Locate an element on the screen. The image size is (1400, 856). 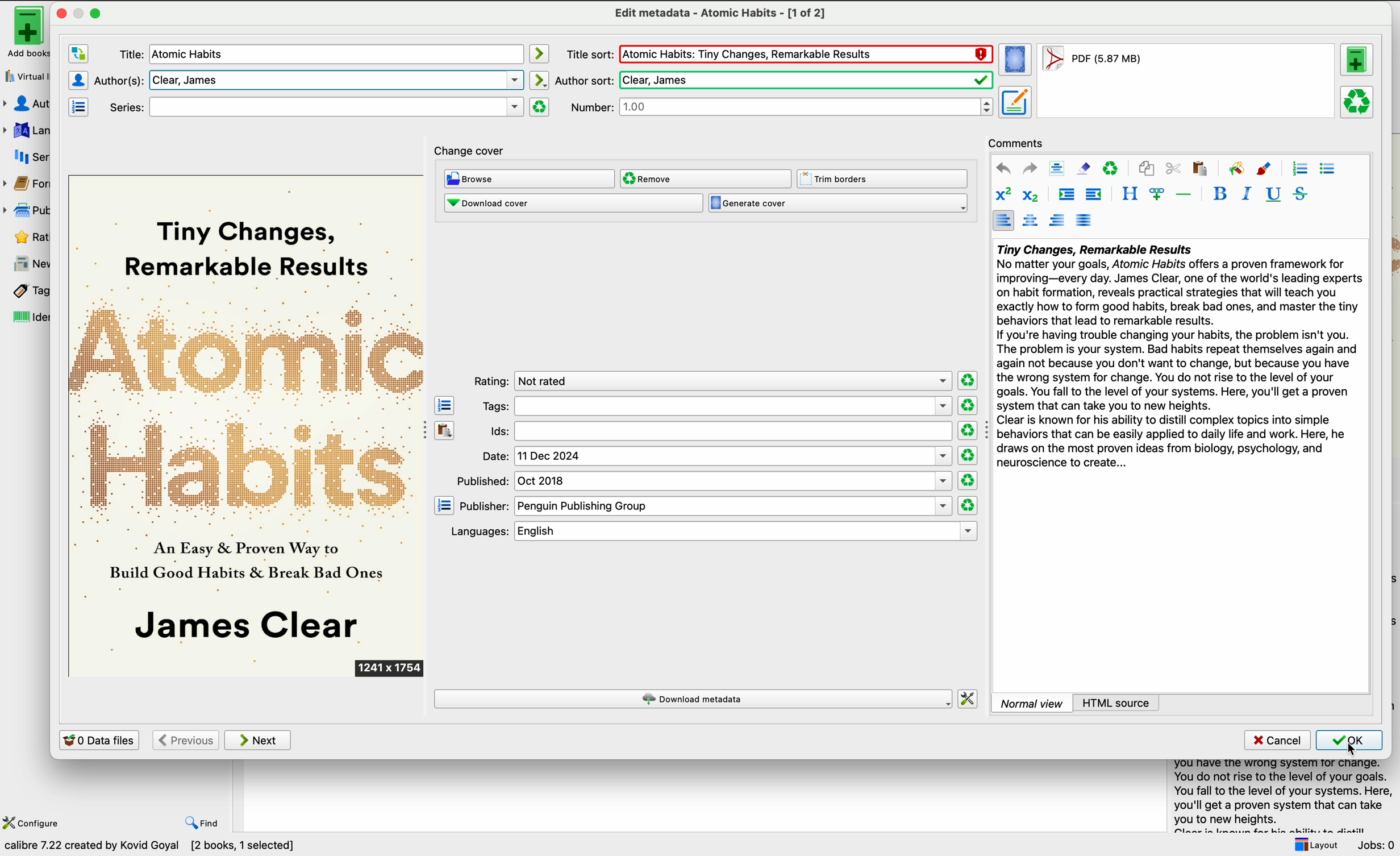
download metadata is located at coordinates (693, 699).